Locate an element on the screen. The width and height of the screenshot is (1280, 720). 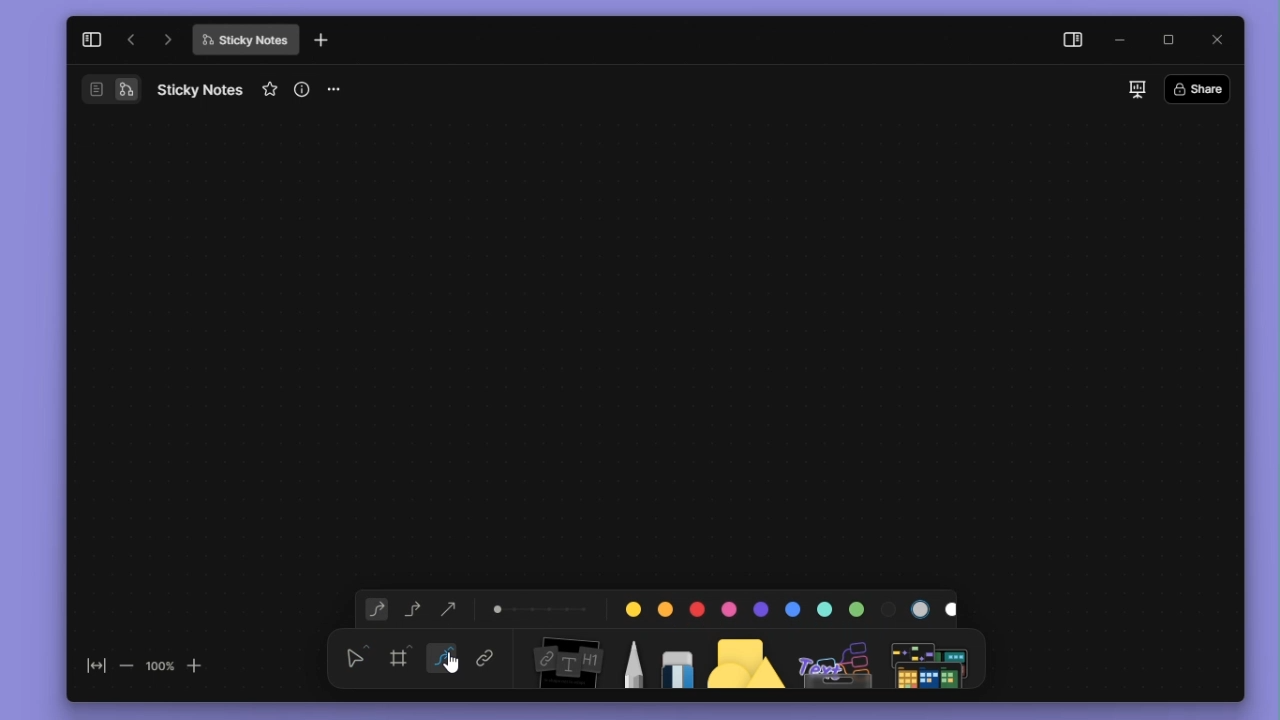
shape is located at coordinates (747, 657).